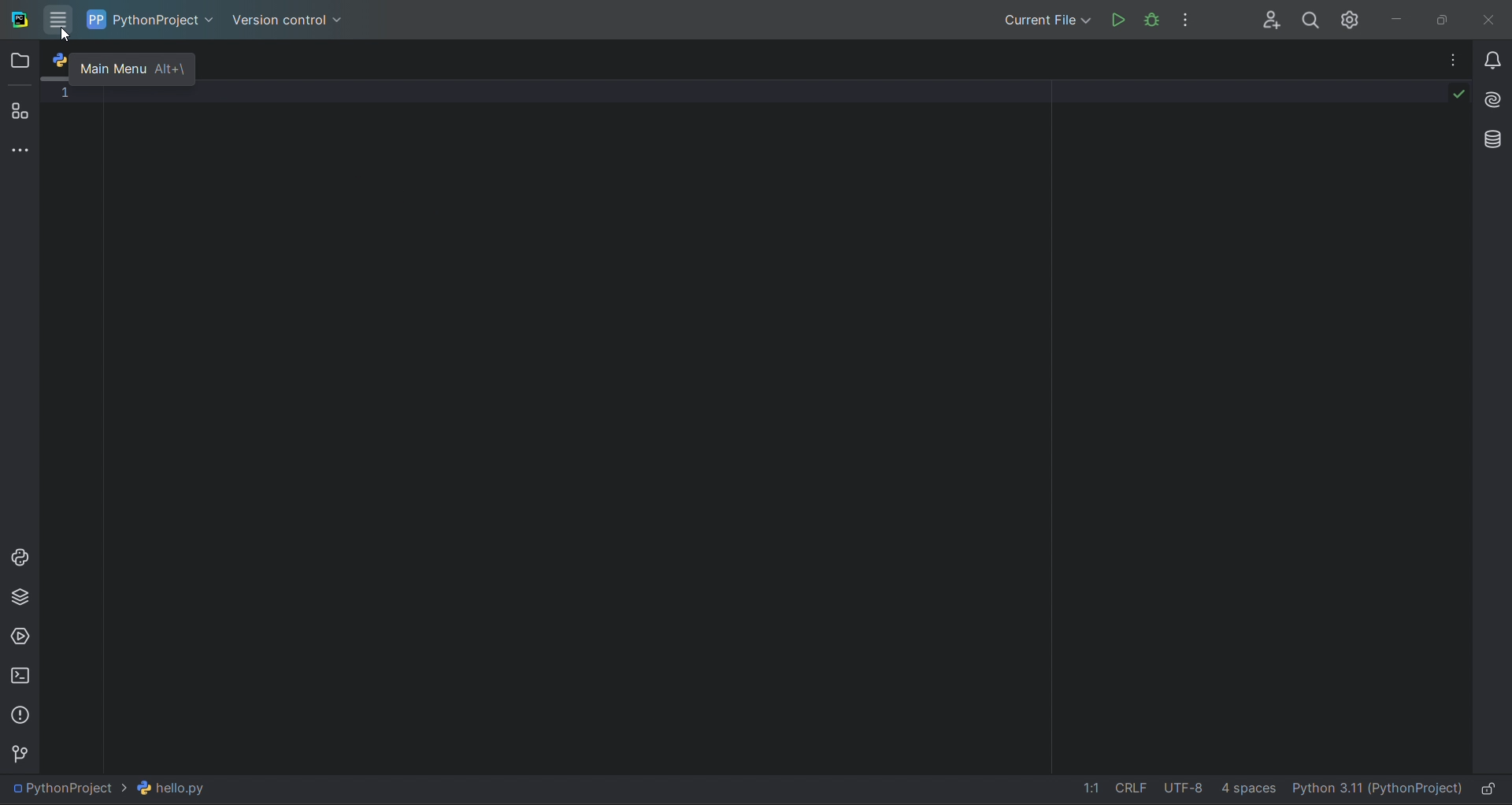  What do you see at coordinates (19, 19) in the screenshot?
I see `logo` at bounding box center [19, 19].